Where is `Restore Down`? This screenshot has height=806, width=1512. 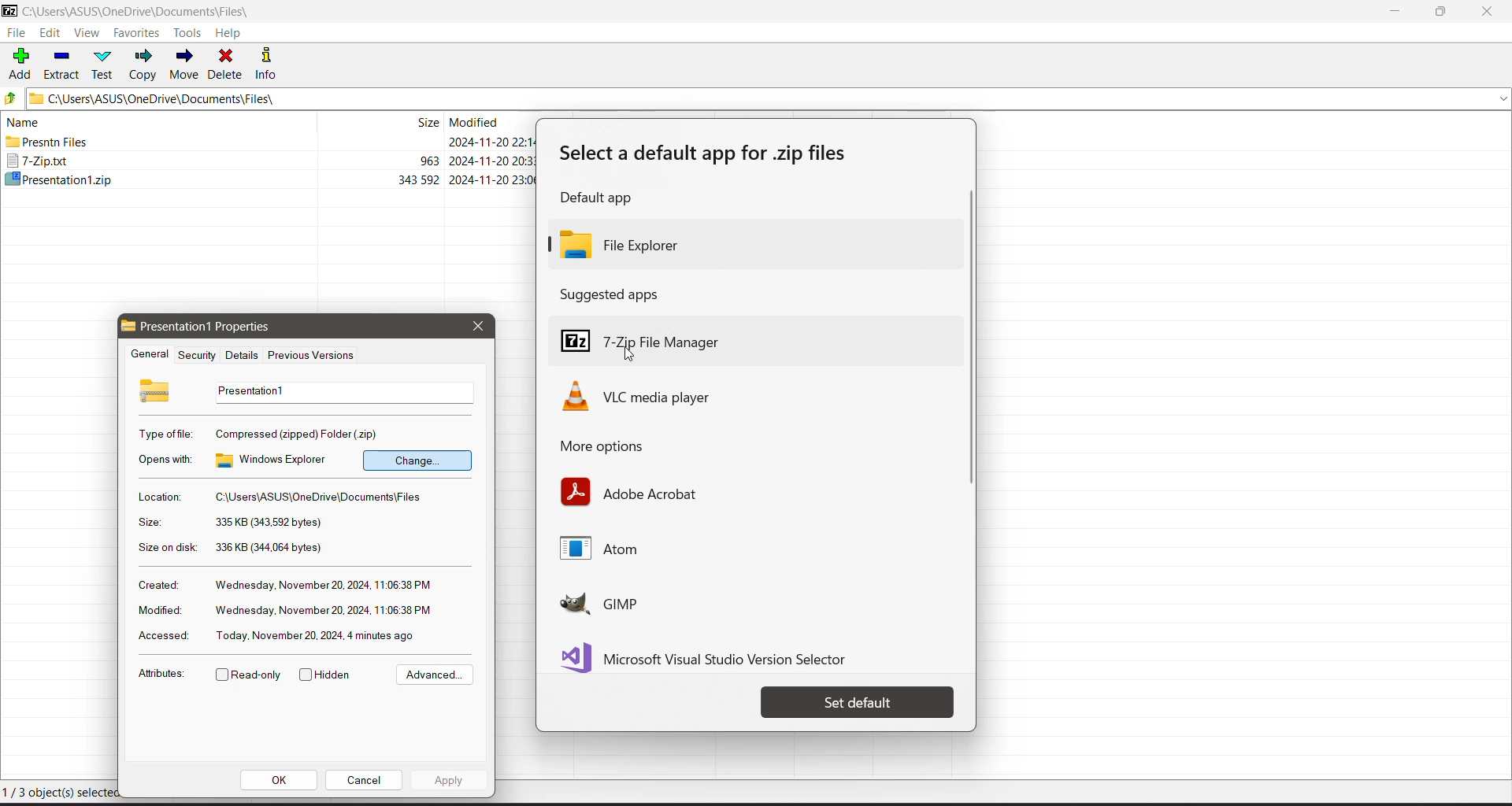
Restore Down is located at coordinates (1442, 12).